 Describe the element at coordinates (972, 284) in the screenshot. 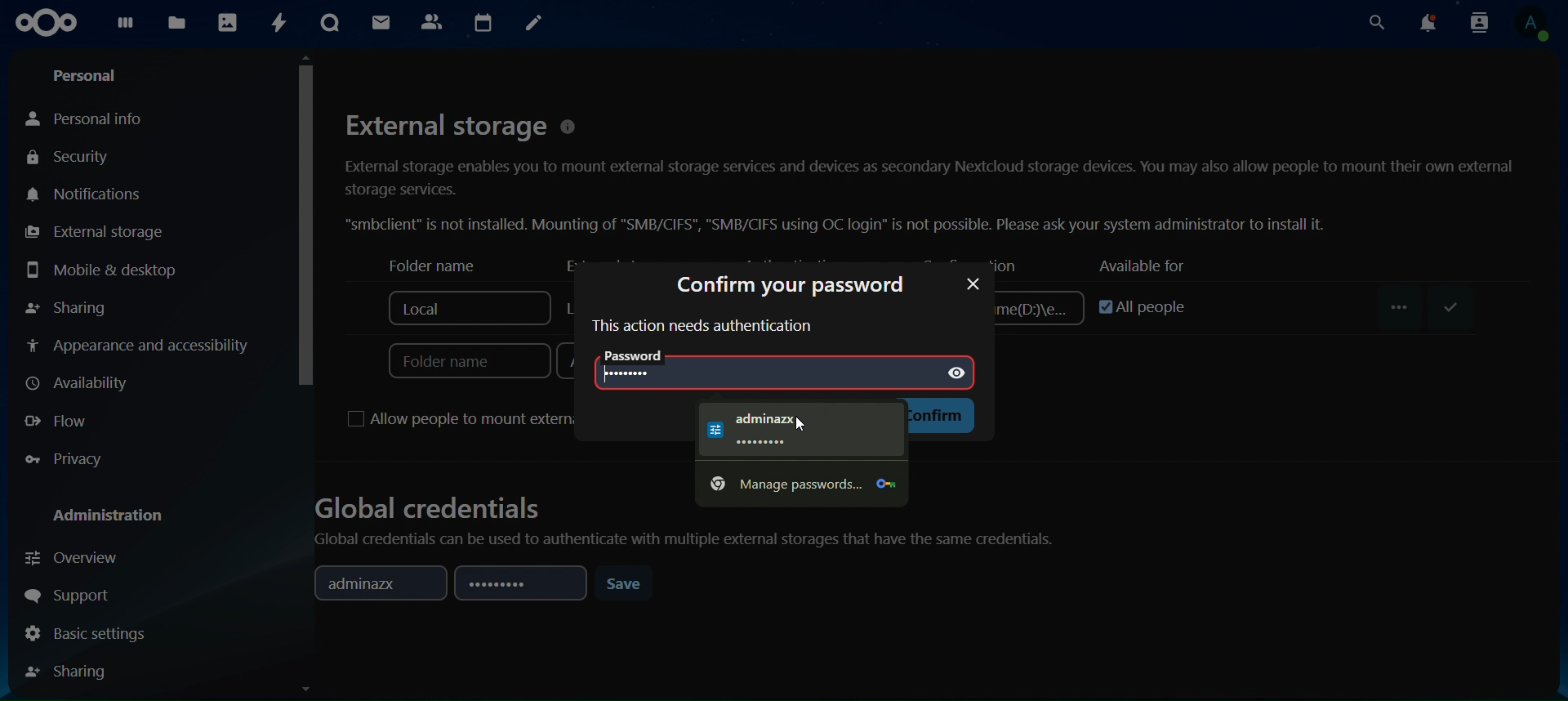

I see `password` at that location.